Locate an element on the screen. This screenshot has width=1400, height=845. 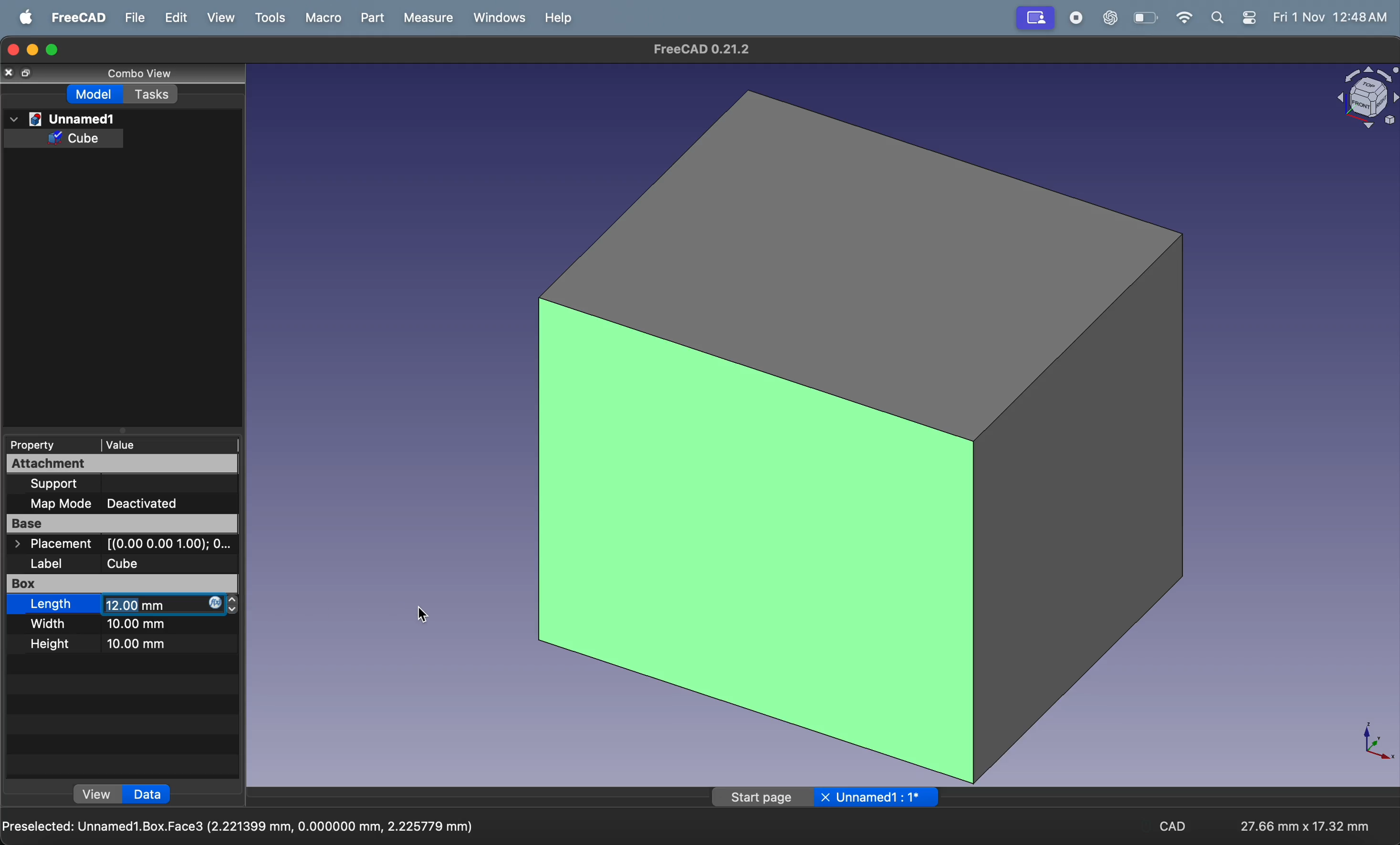
CAD is located at coordinates (1174, 826).